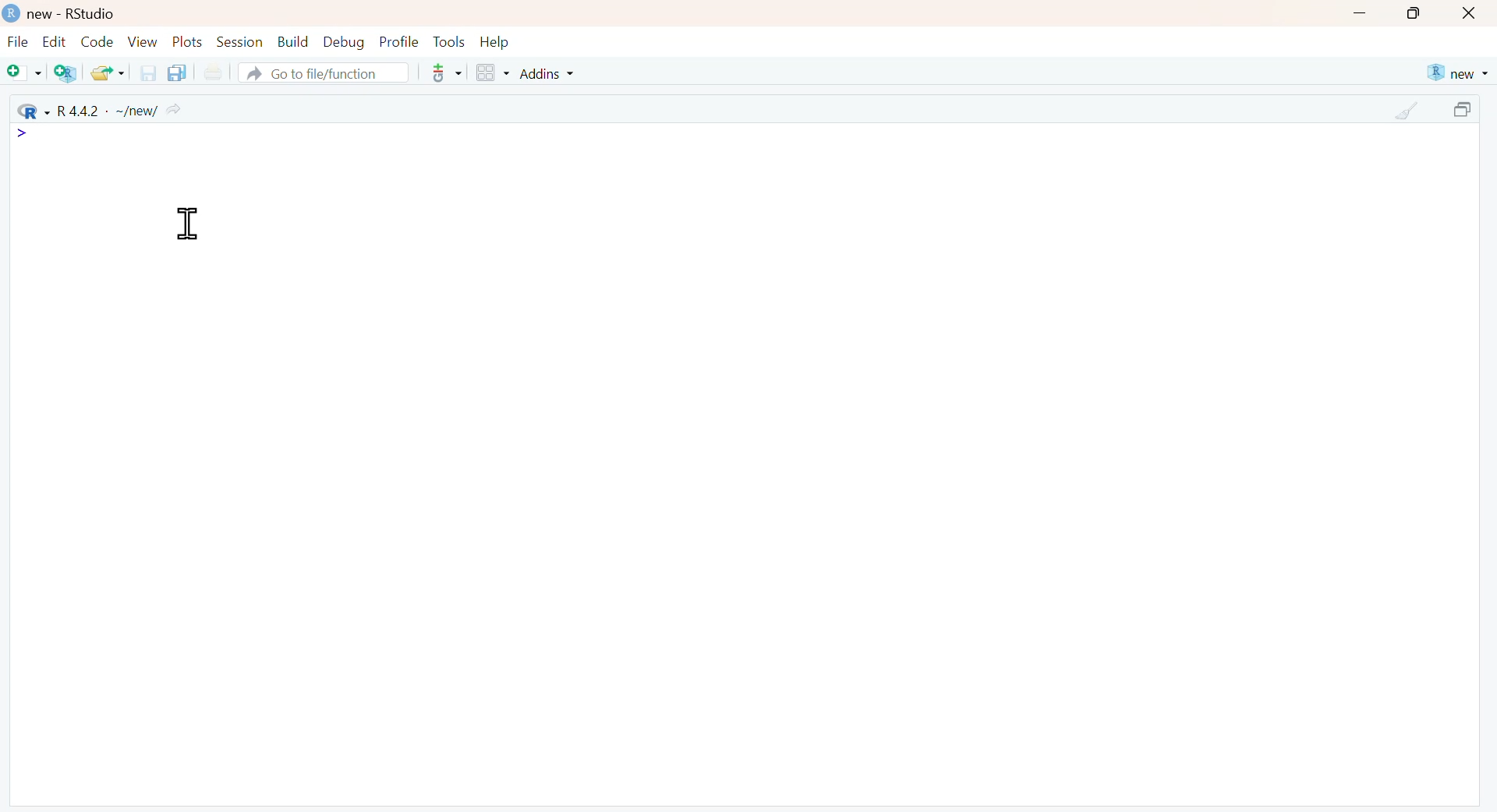 The width and height of the screenshot is (1497, 812). I want to click on Tools, so click(451, 42).